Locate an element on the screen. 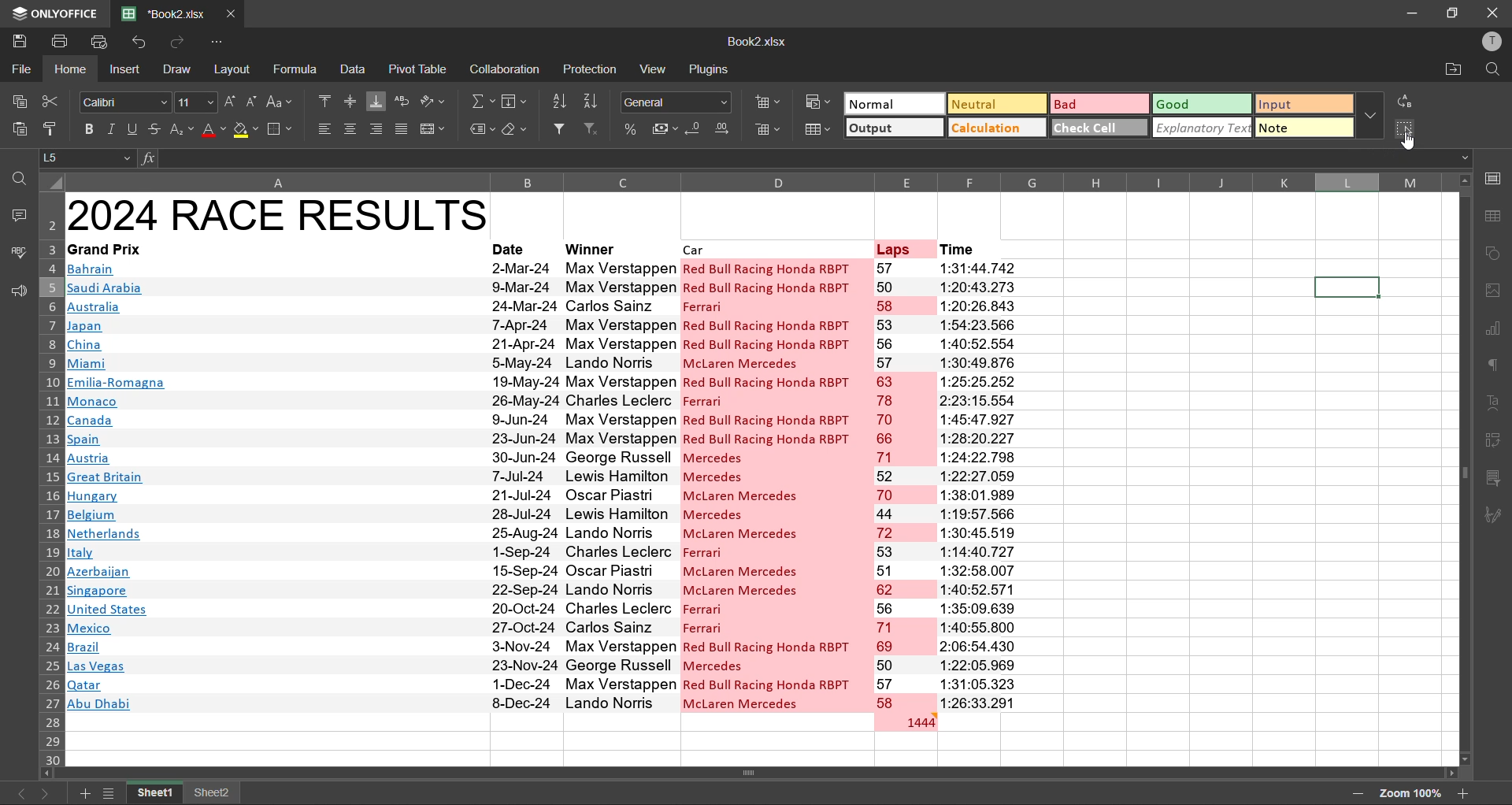  save is located at coordinates (18, 42).